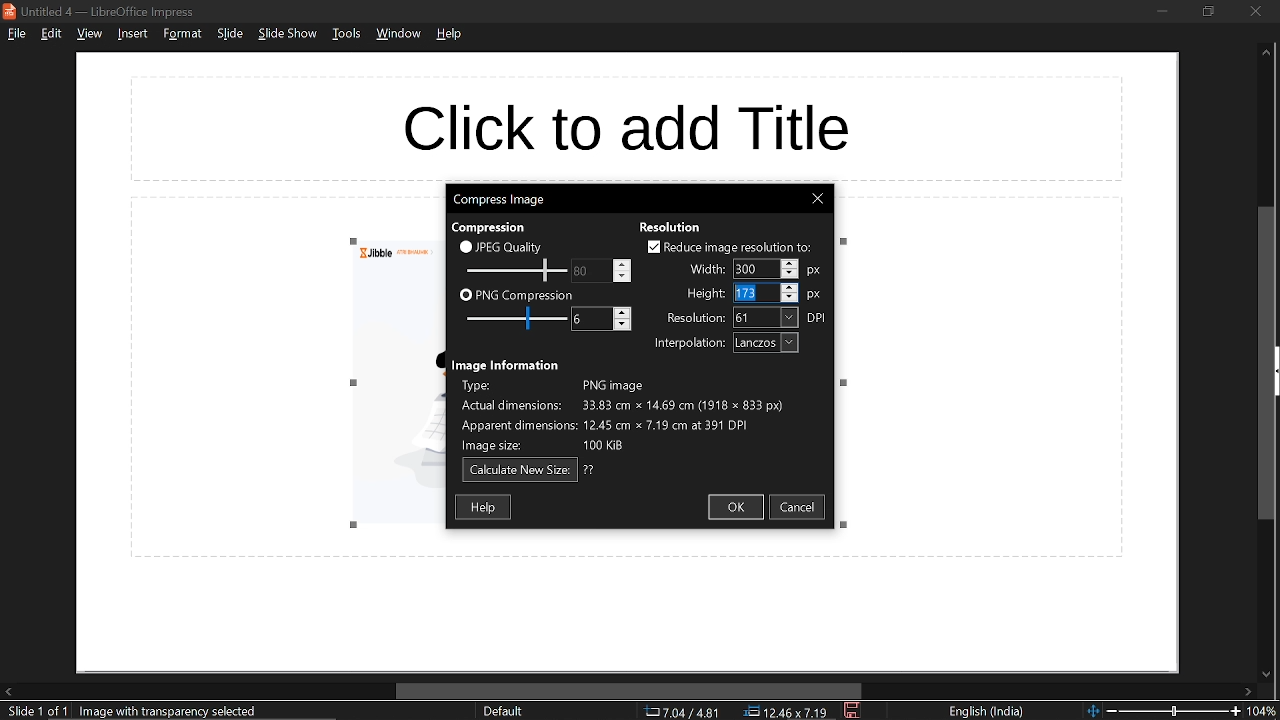 The width and height of the screenshot is (1280, 720). Describe the element at coordinates (512, 247) in the screenshot. I see `JPEG quality` at that location.